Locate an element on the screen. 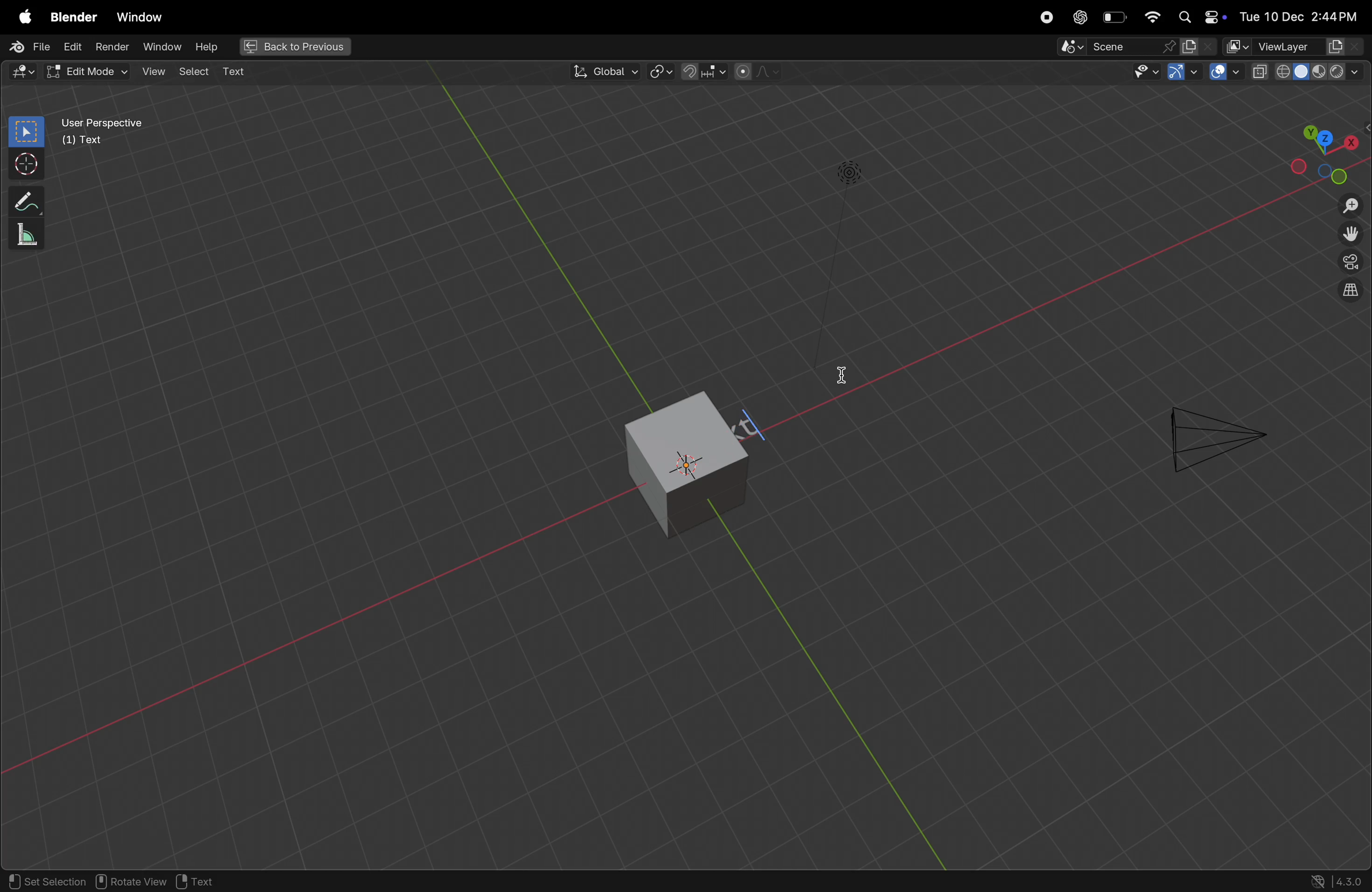  move is located at coordinates (22, 199).